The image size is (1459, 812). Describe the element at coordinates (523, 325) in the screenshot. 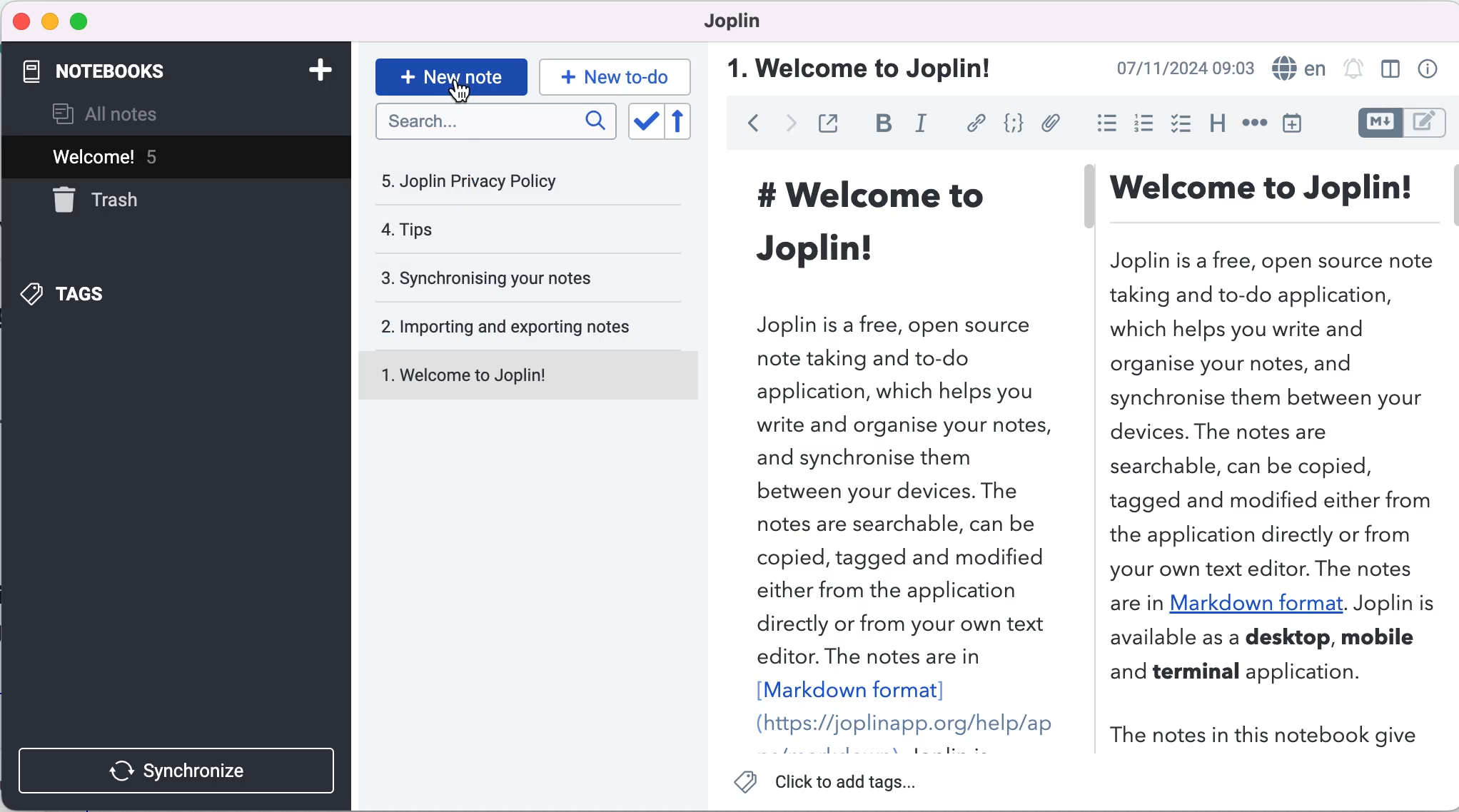

I see `importing and exporting notes` at that location.